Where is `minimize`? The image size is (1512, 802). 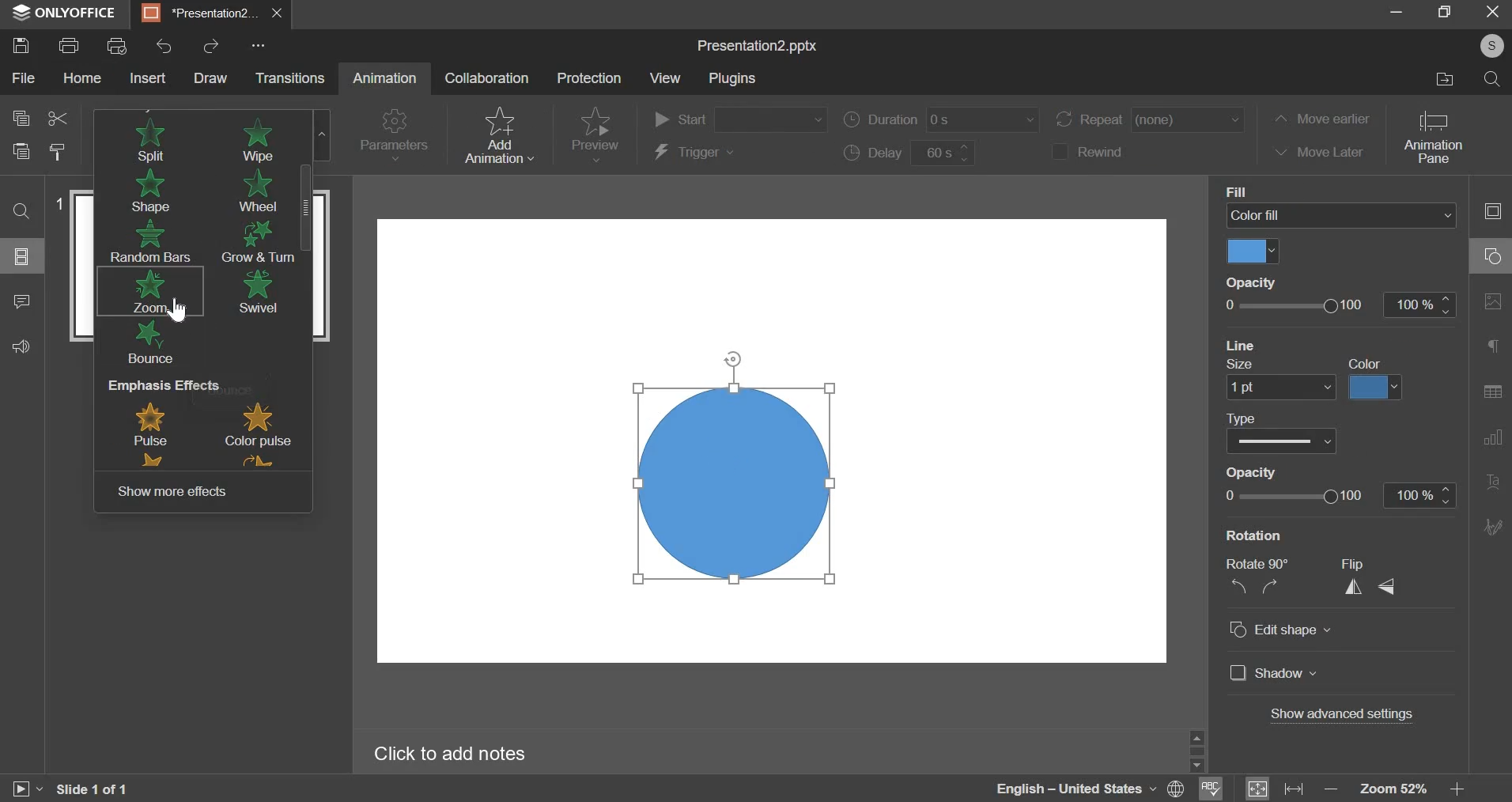 minimize is located at coordinates (1393, 13).